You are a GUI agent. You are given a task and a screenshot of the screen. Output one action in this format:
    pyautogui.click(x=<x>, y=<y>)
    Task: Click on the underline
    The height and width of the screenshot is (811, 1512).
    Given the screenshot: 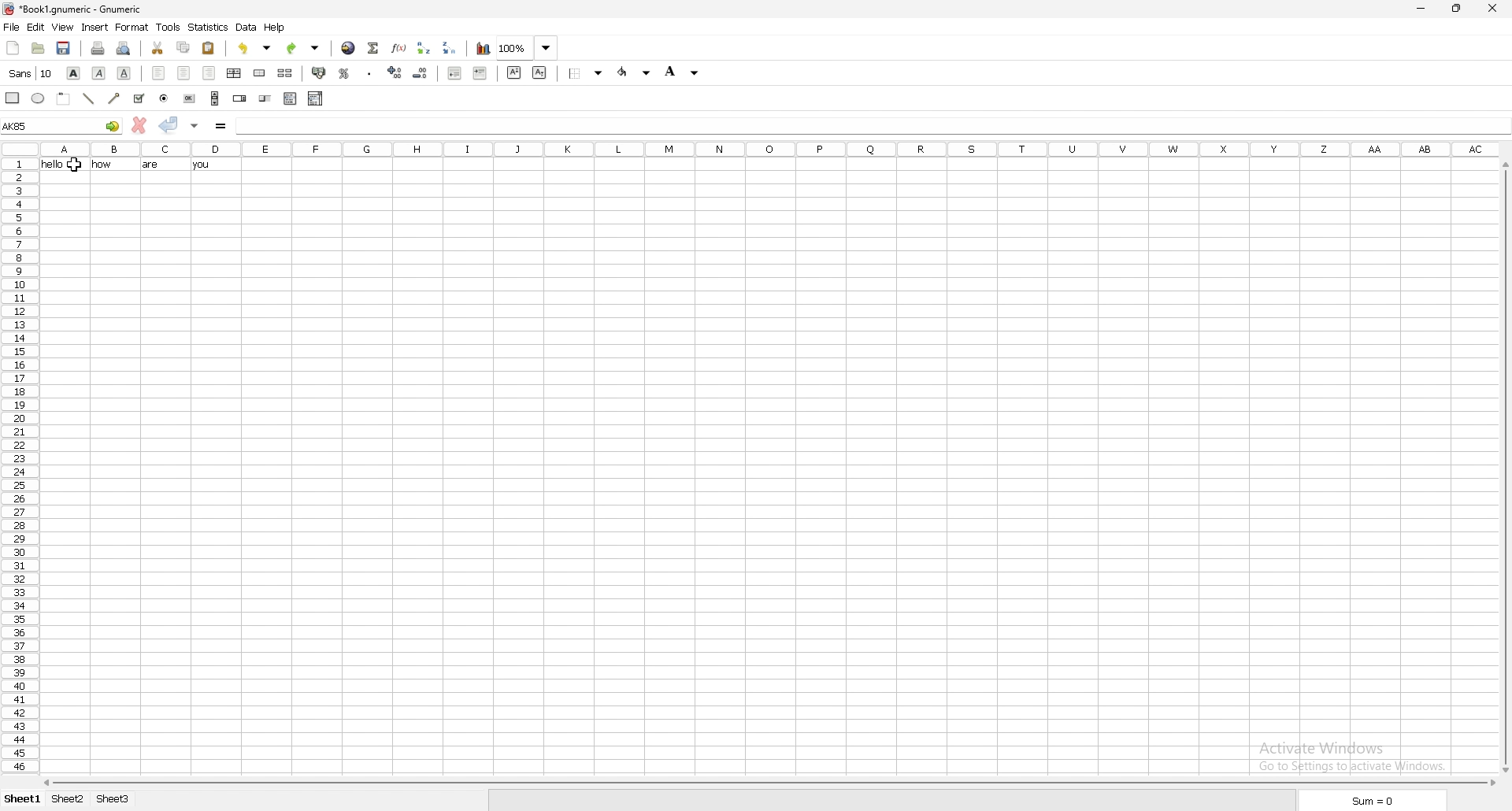 What is the action you would take?
    pyautogui.click(x=124, y=72)
    